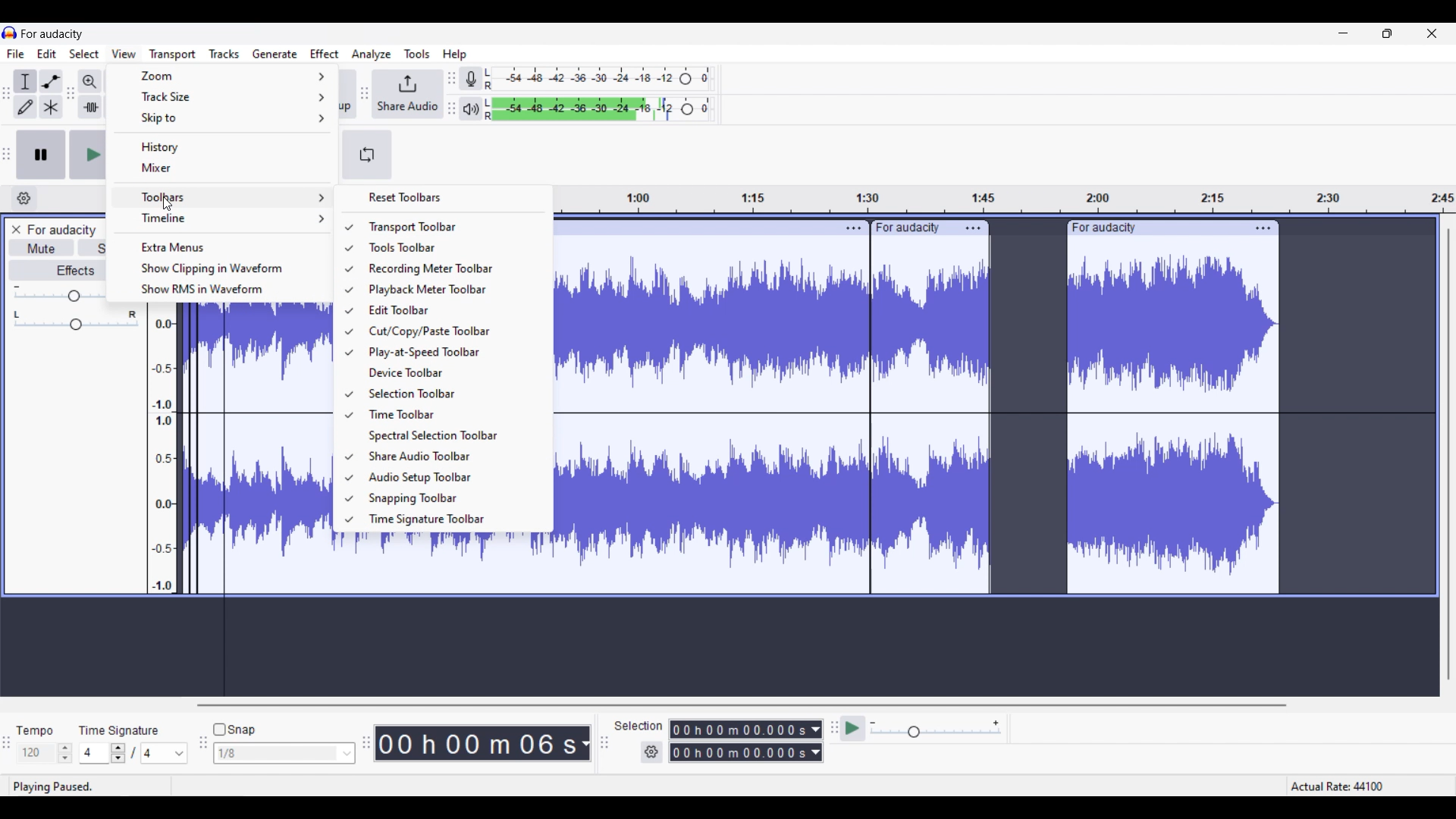  Describe the element at coordinates (450, 436) in the screenshot. I see `Spectral selection toolbar` at that location.